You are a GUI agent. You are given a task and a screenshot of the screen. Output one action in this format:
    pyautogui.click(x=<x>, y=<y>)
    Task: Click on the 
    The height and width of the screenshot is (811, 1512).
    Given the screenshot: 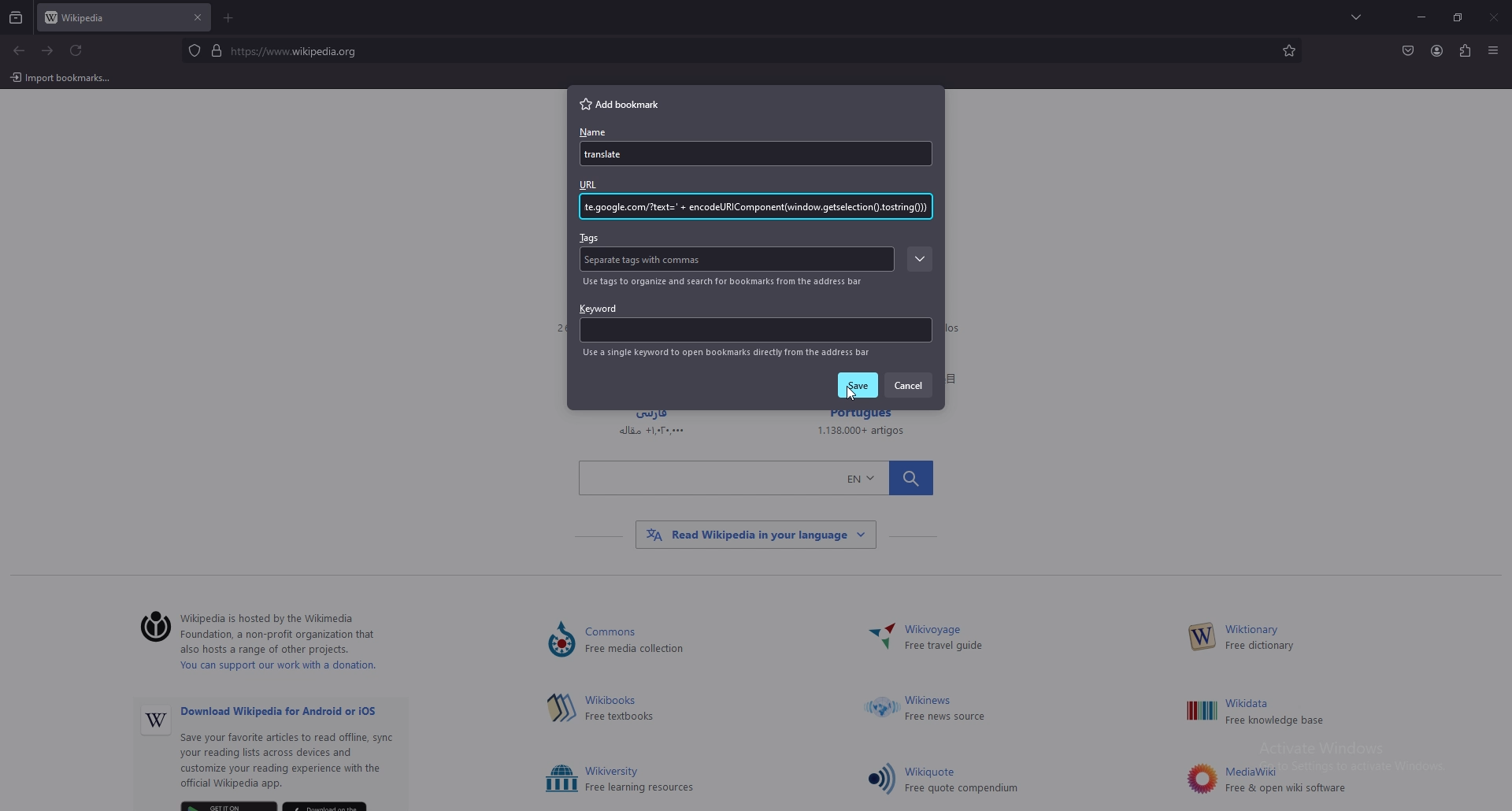 What is the action you would take?
    pyautogui.click(x=561, y=780)
    